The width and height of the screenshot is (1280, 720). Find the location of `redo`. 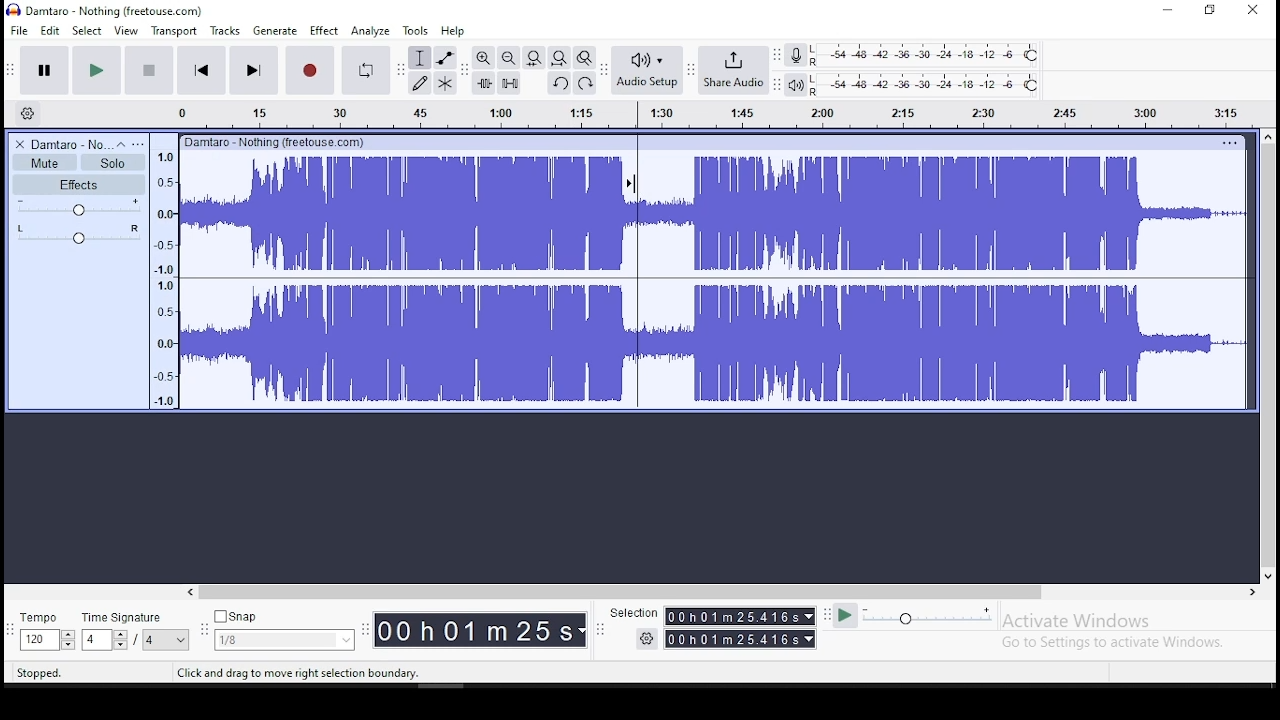

redo is located at coordinates (584, 83).